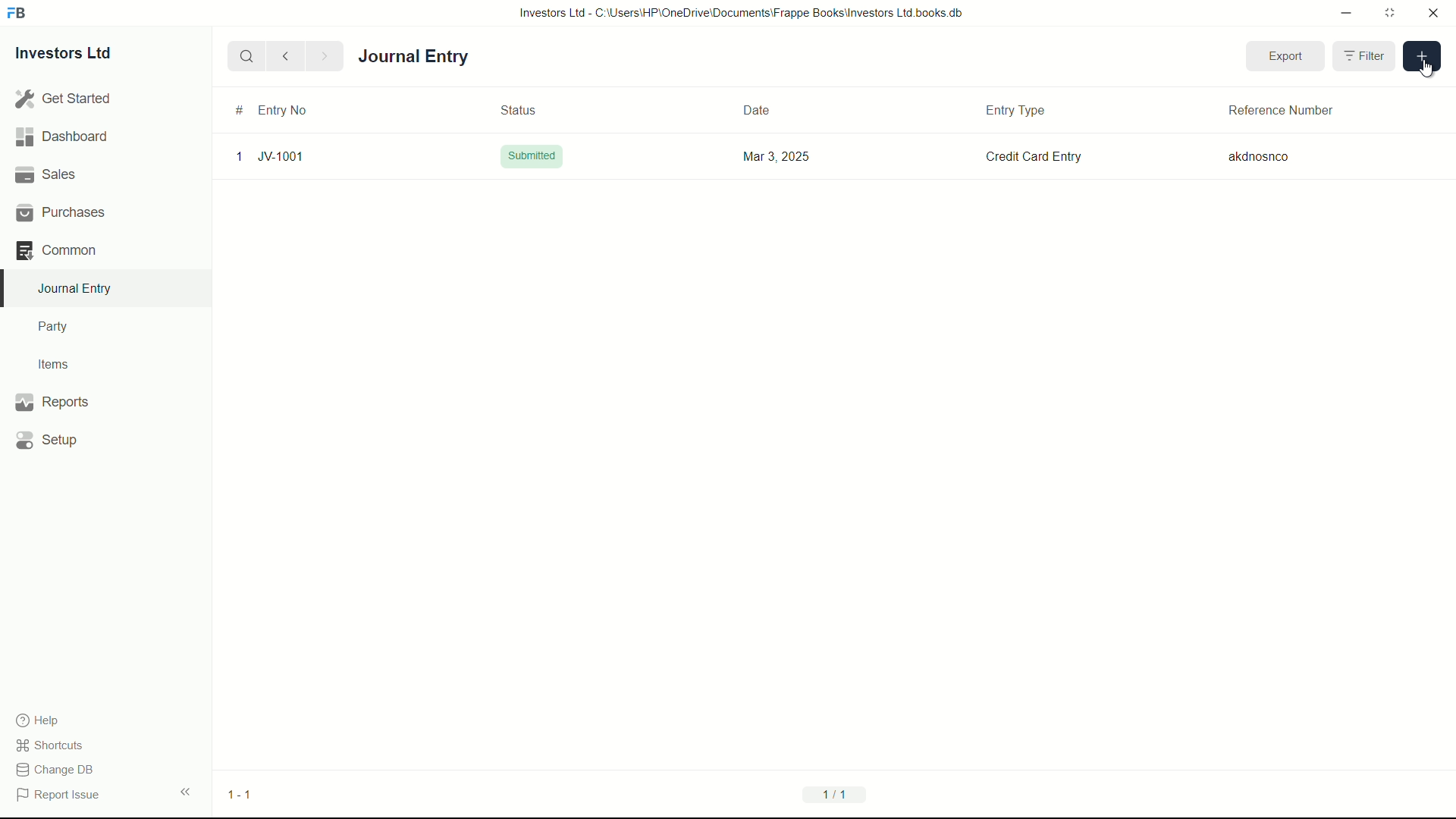 The height and width of the screenshot is (819, 1456). Describe the element at coordinates (185, 790) in the screenshot. I see `expand/collapse` at that location.